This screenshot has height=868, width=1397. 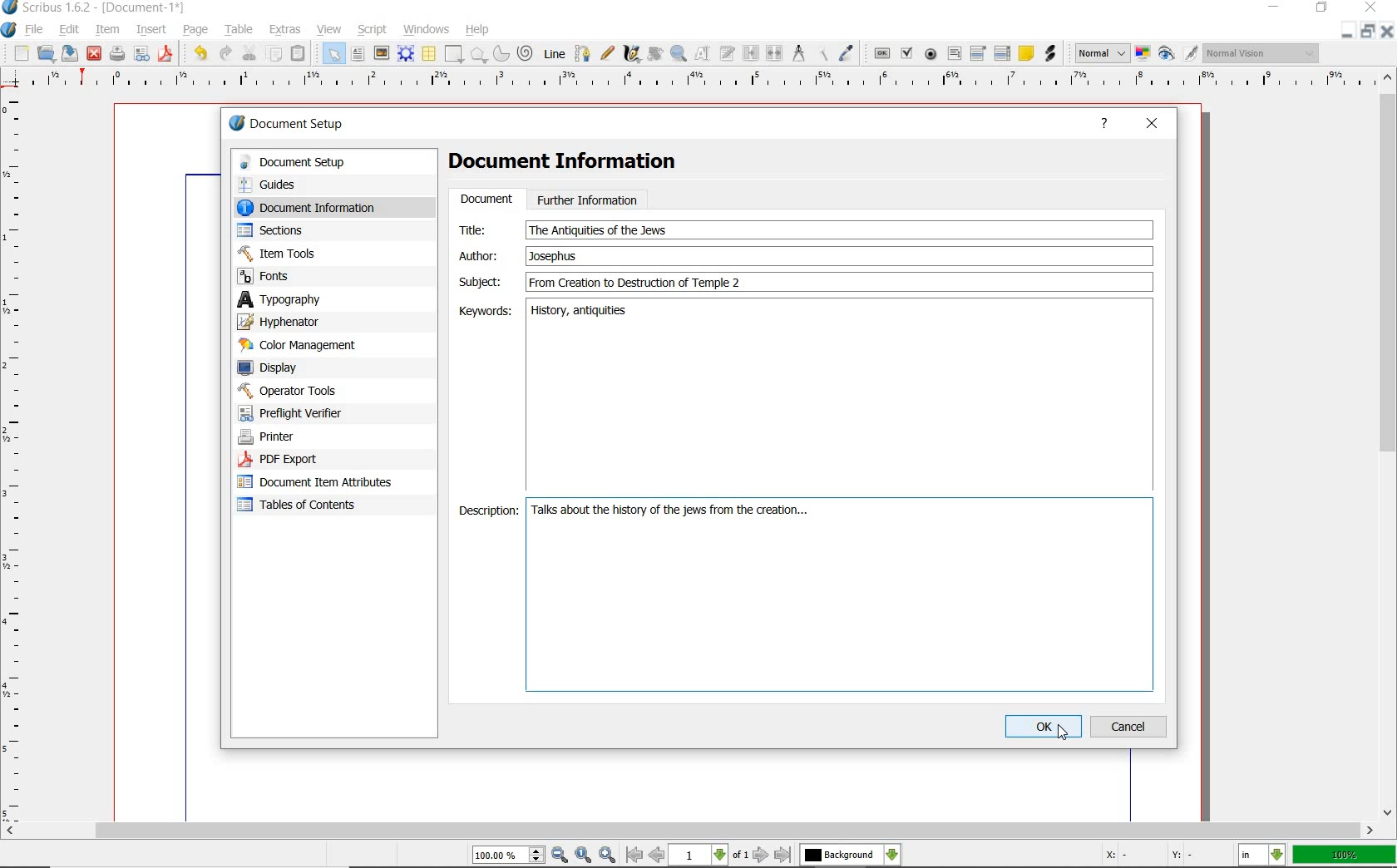 What do you see at coordinates (556, 255) in the screenshot?
I see `Author Text` at bounding box center [556, 255].